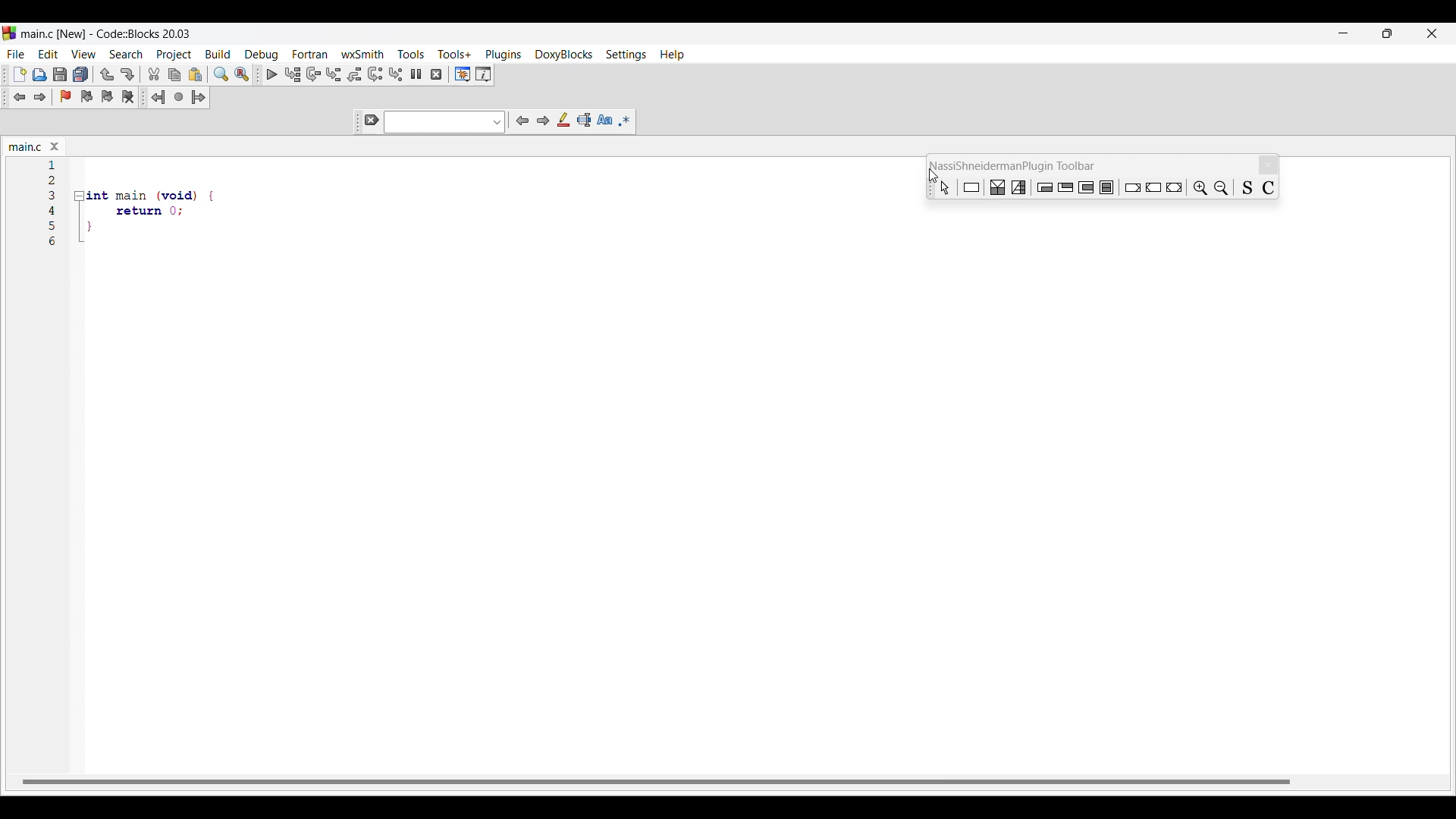 The height and width of the screenshot is (819, 1456). What do you see at coordinates (1272, 186) in the screenshot?
I see `` at bounding box center [1272, 186].